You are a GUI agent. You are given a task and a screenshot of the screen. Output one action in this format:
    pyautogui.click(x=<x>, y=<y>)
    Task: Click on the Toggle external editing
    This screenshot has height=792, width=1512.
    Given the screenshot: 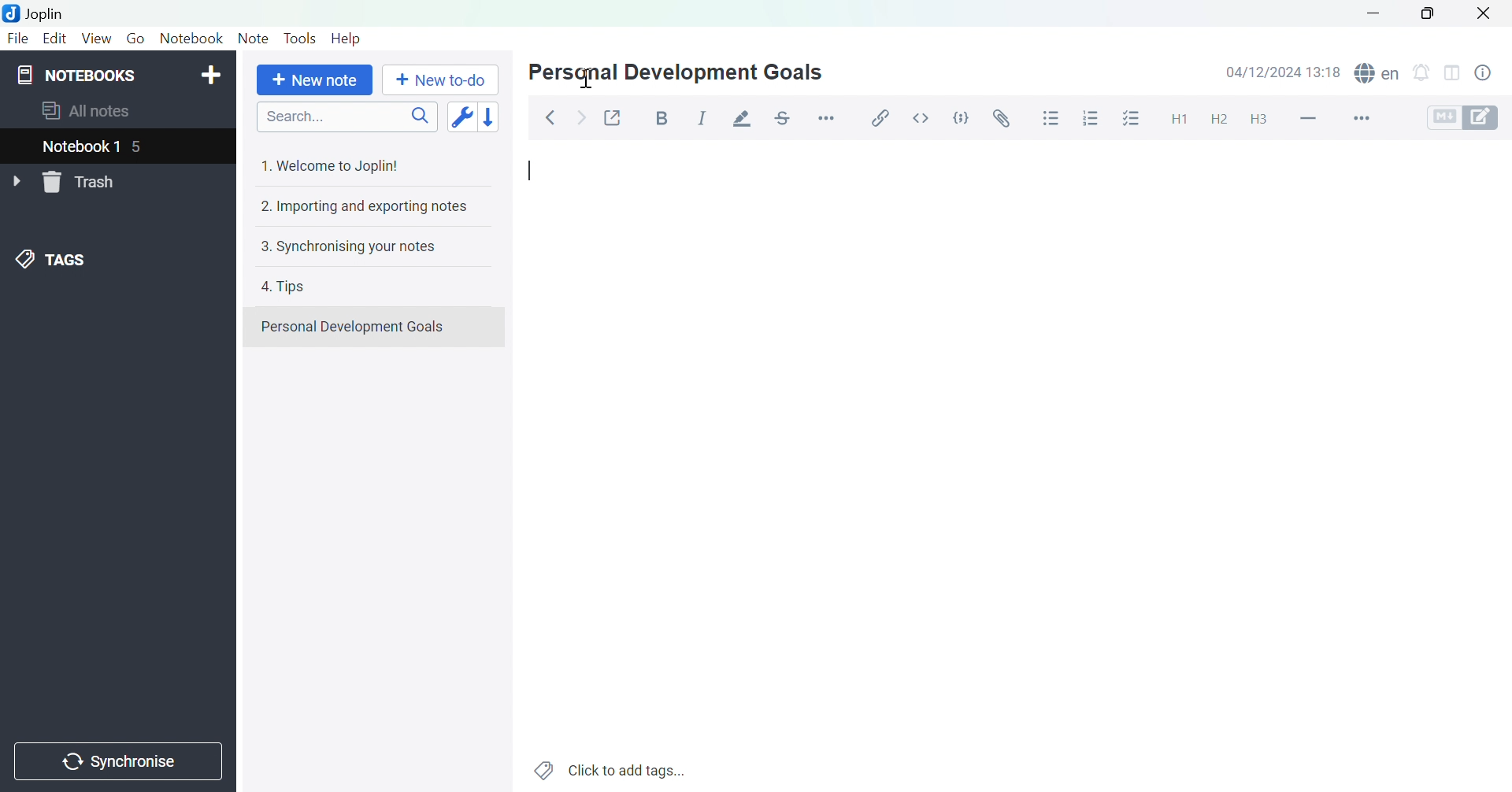 What is the action you would take?
    pyautogui.click(x=613, y=117)
    